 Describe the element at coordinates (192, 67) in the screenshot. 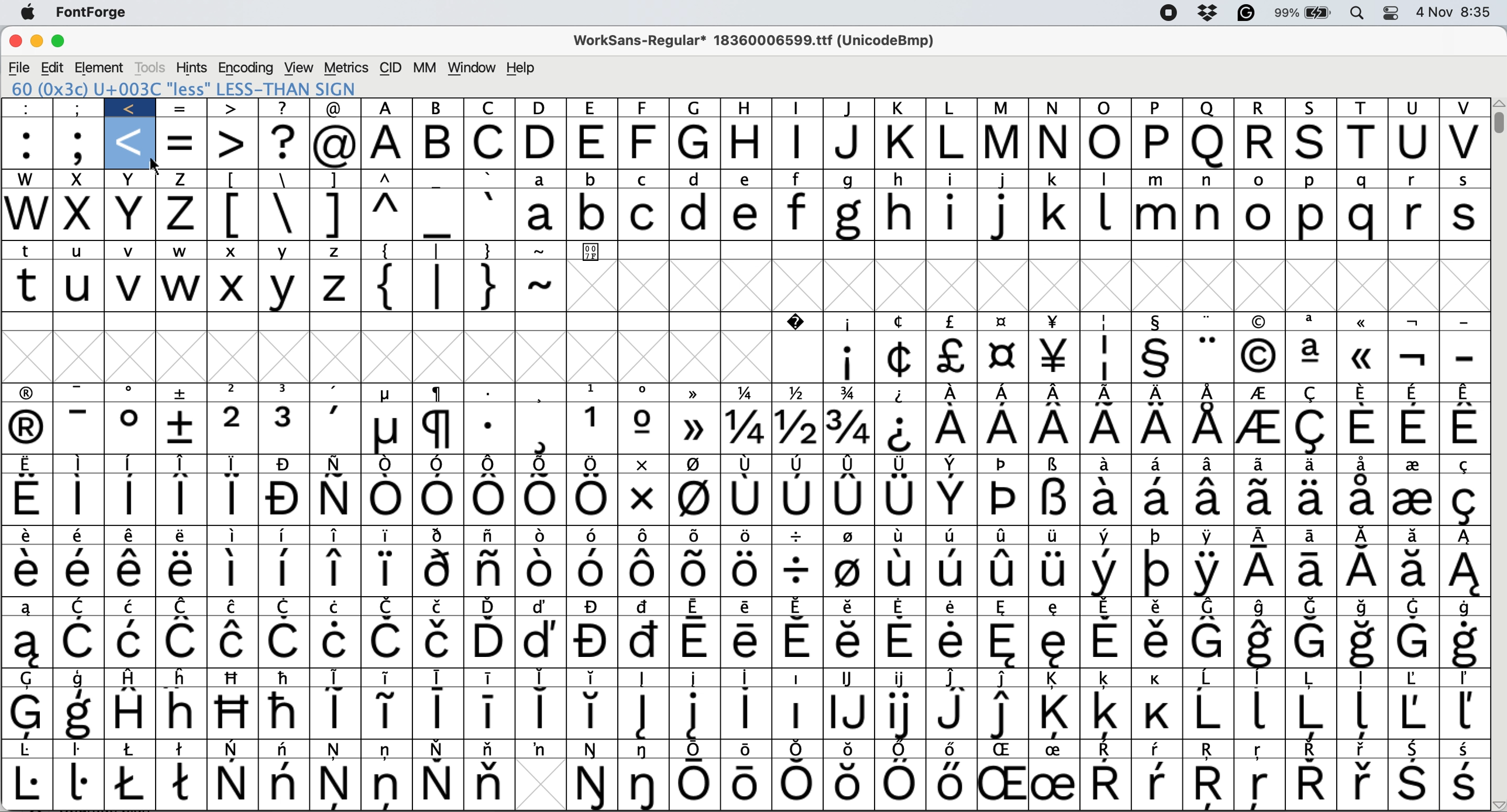

I see `hints` at that location.